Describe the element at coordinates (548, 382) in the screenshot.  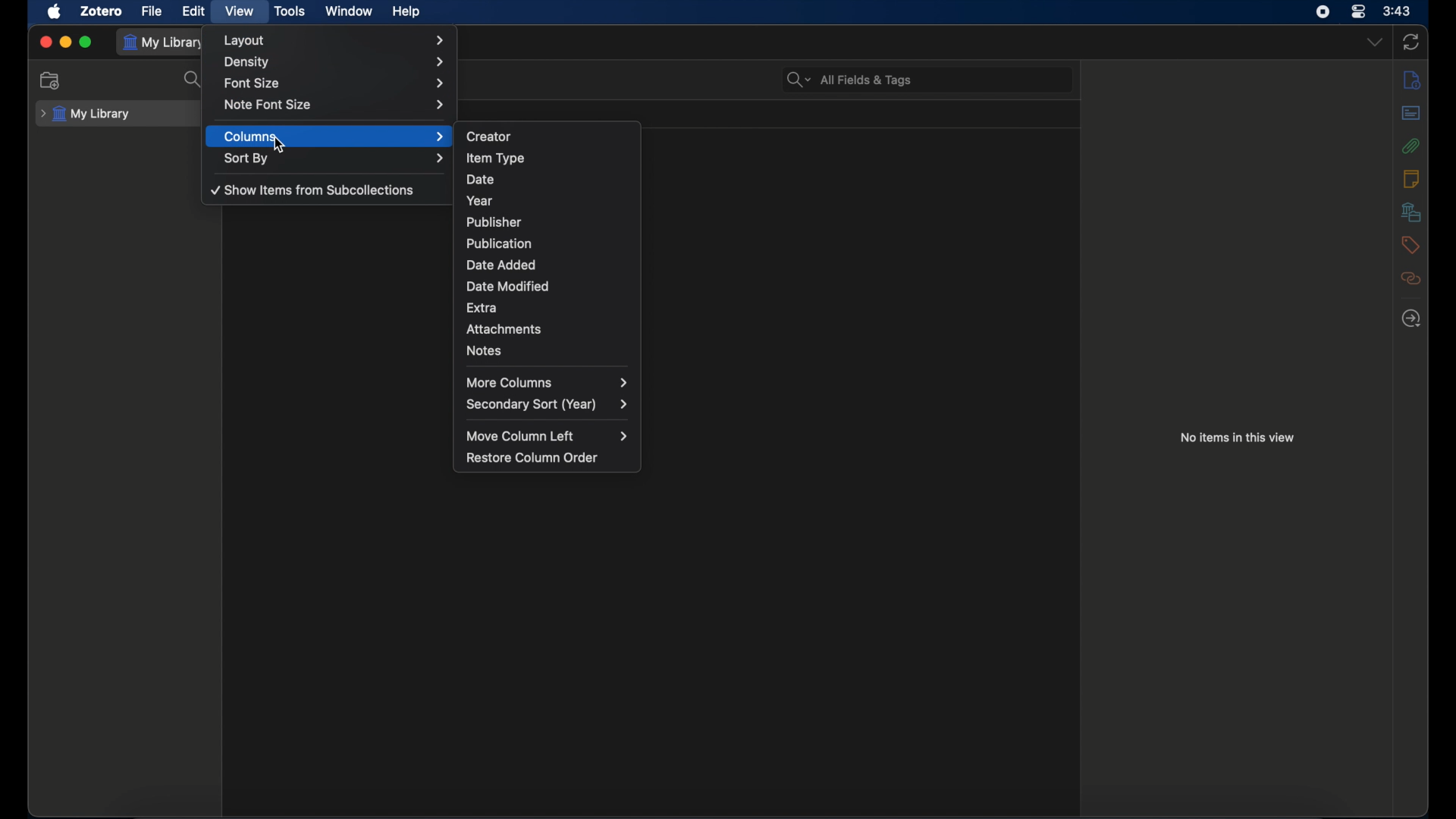
I see `more columns` at that location.